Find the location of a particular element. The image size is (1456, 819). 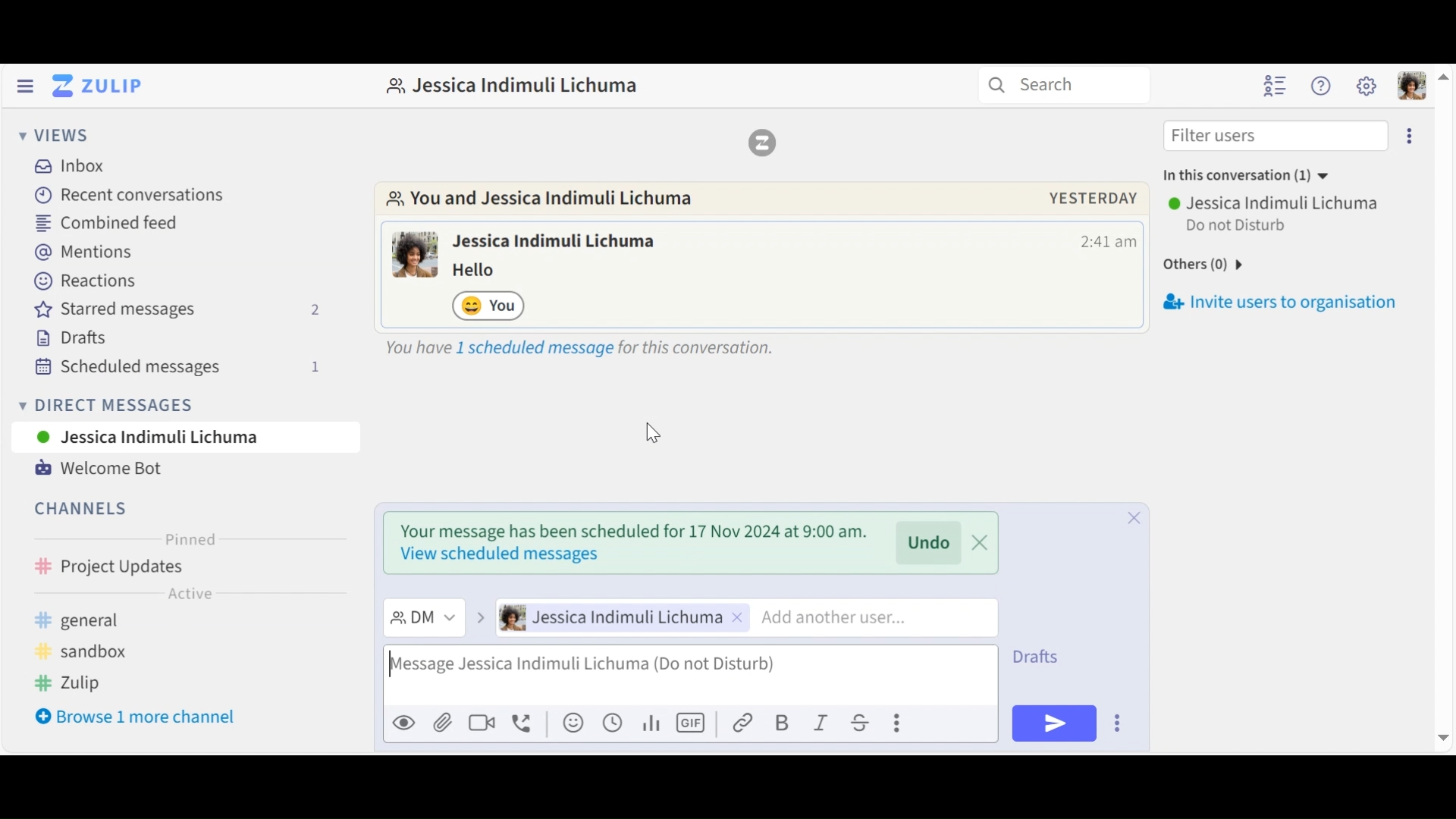

Main menu is located at coordinates (1367, 86).